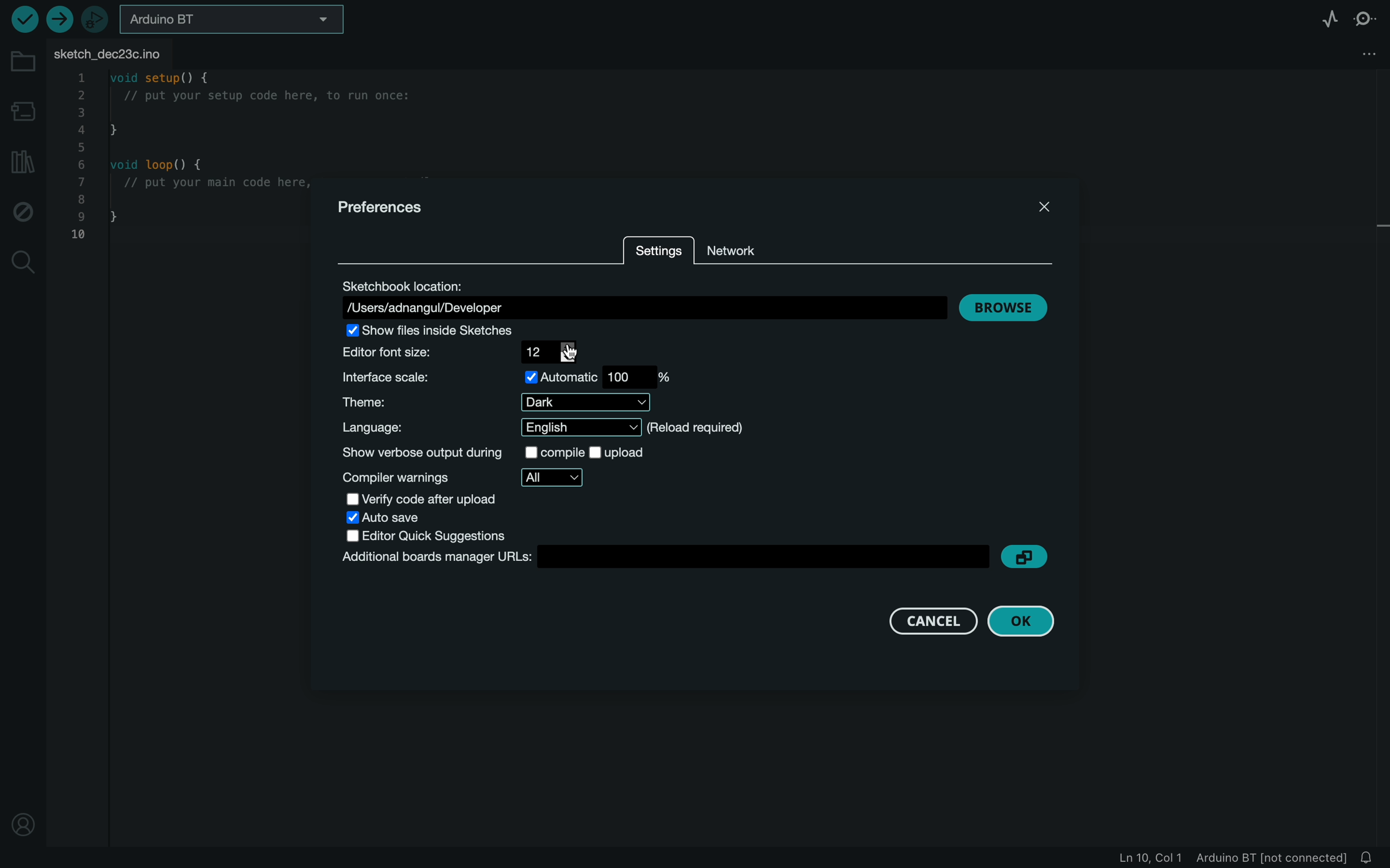 The width and height of the screenshot is (1390, 868). Describe the element at coordinates (184, 164) in the screenshot. I see `code` at that location.